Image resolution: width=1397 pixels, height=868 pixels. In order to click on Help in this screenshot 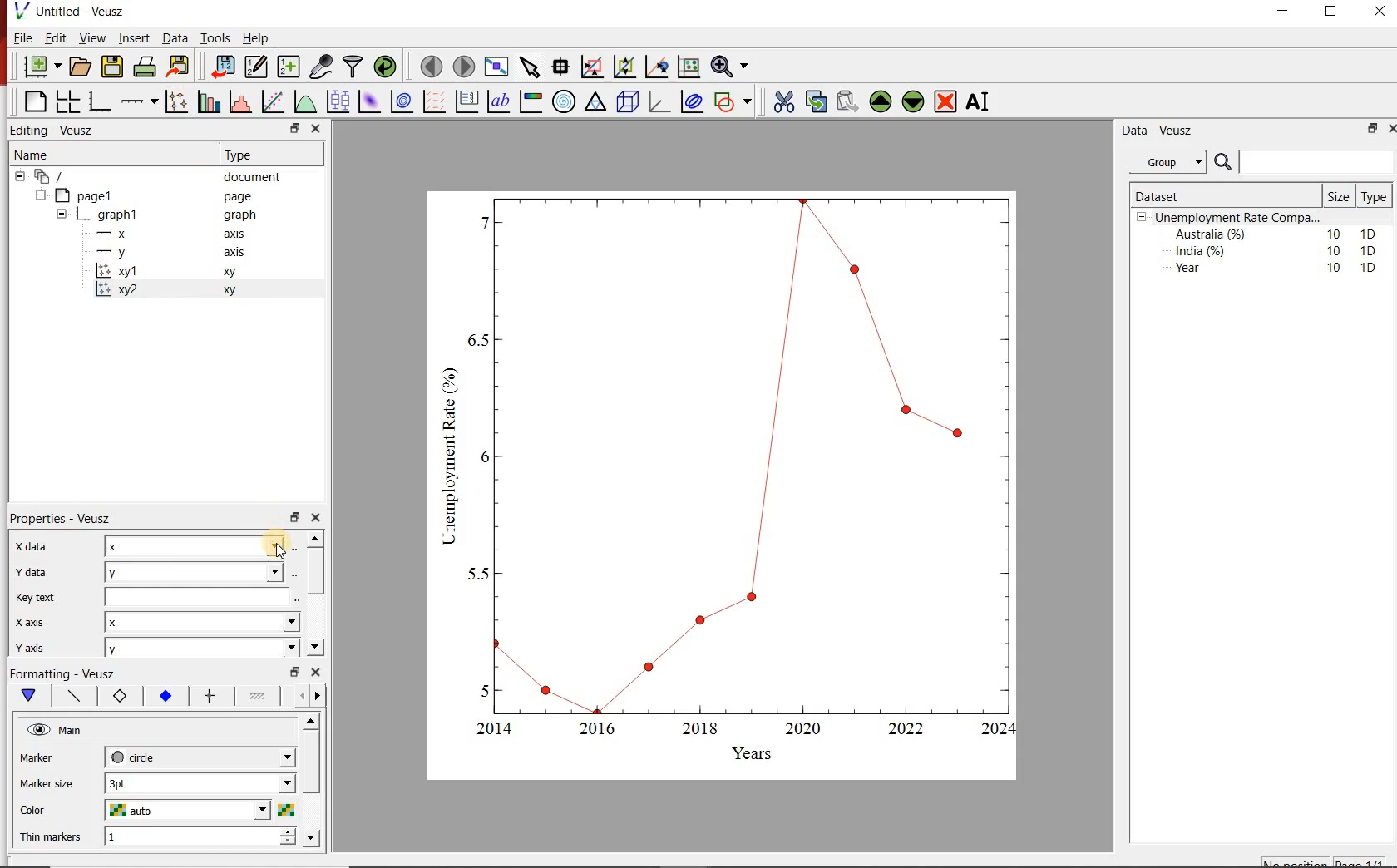, I will do `click(256, 38)`.